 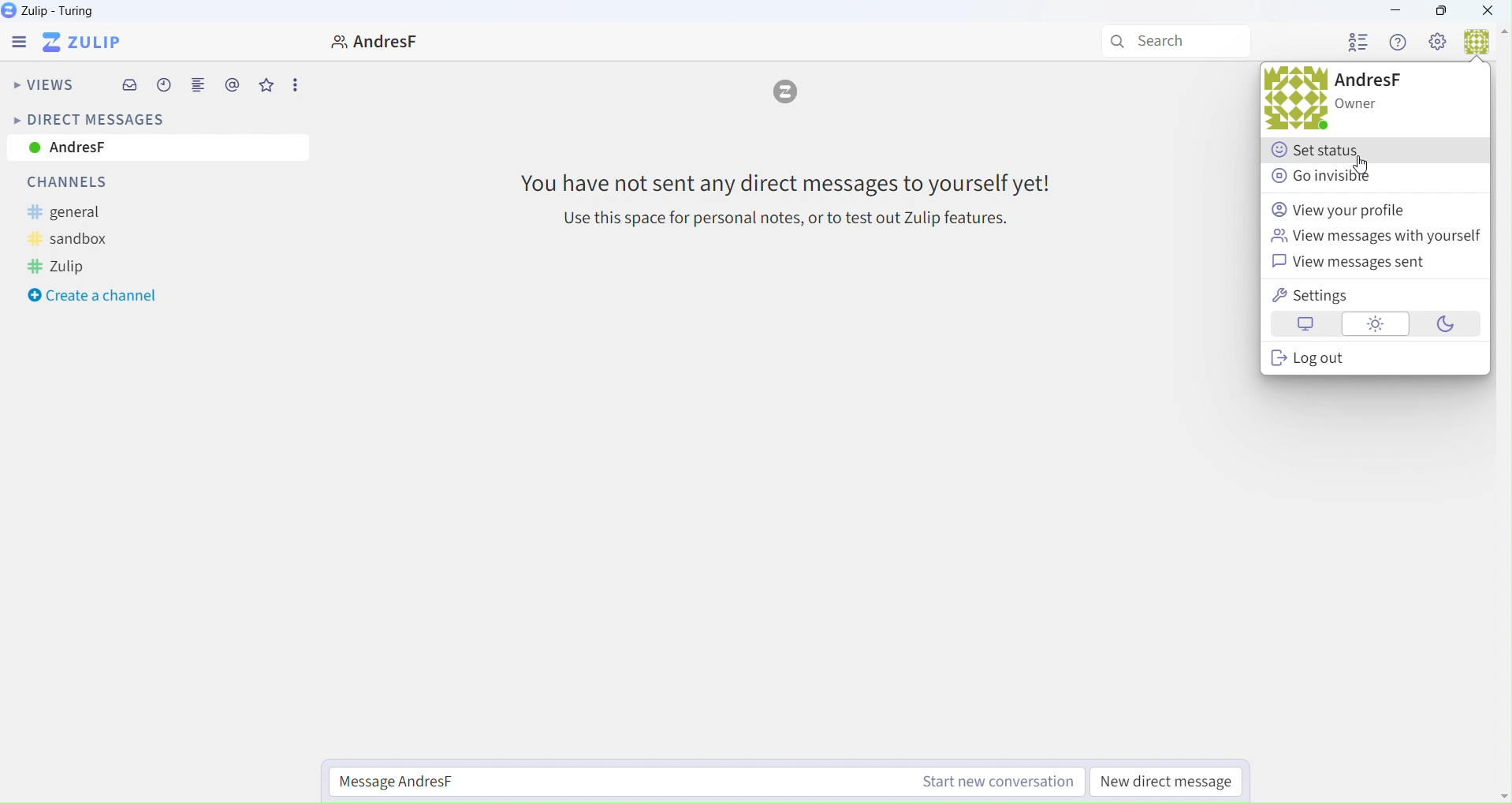 I want to click on Mentions, so click(x=233, y=85).